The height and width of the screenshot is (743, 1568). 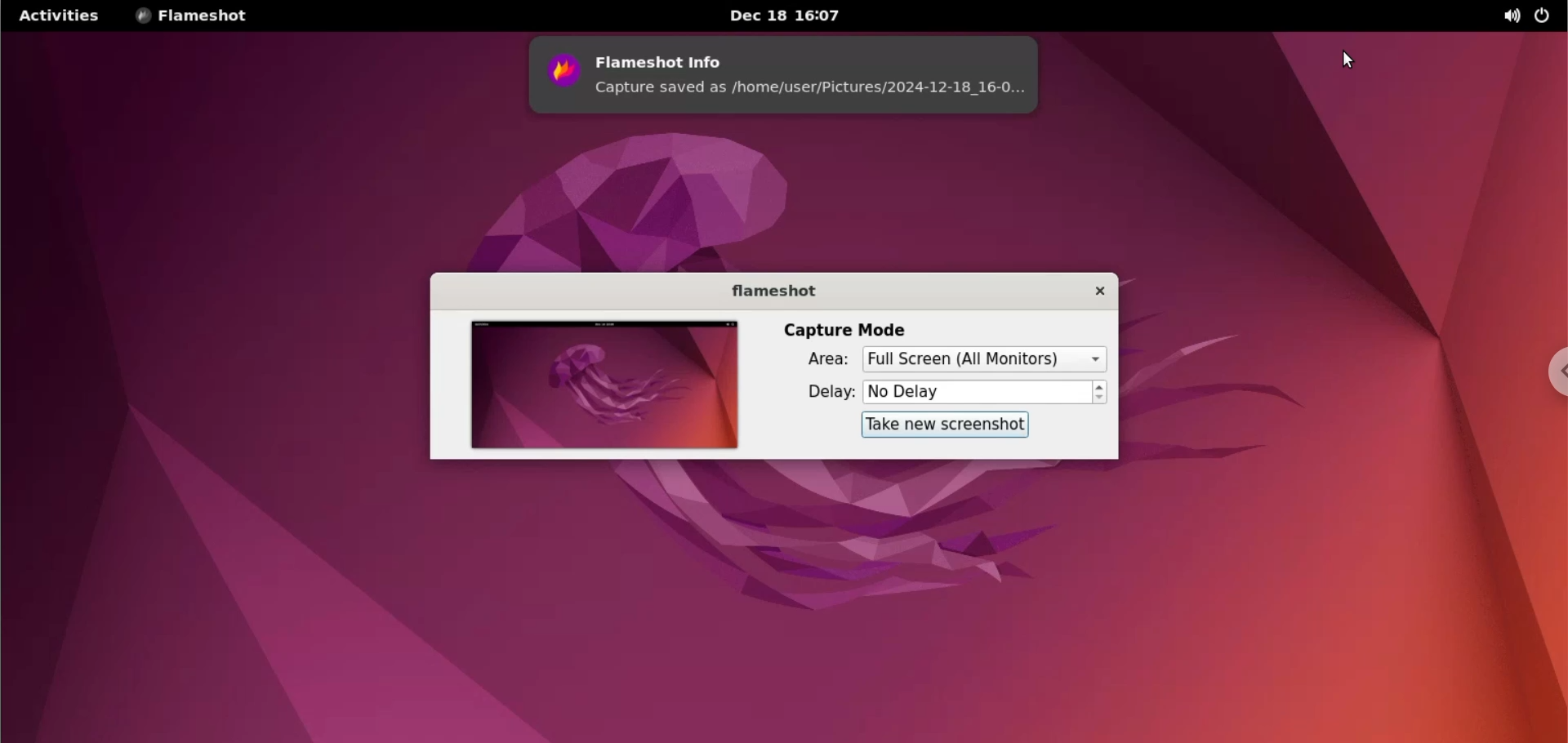 What do you see at coordinates (1095, 292) in the screenshot?
I see `close` at bounding box center [1095, 292].